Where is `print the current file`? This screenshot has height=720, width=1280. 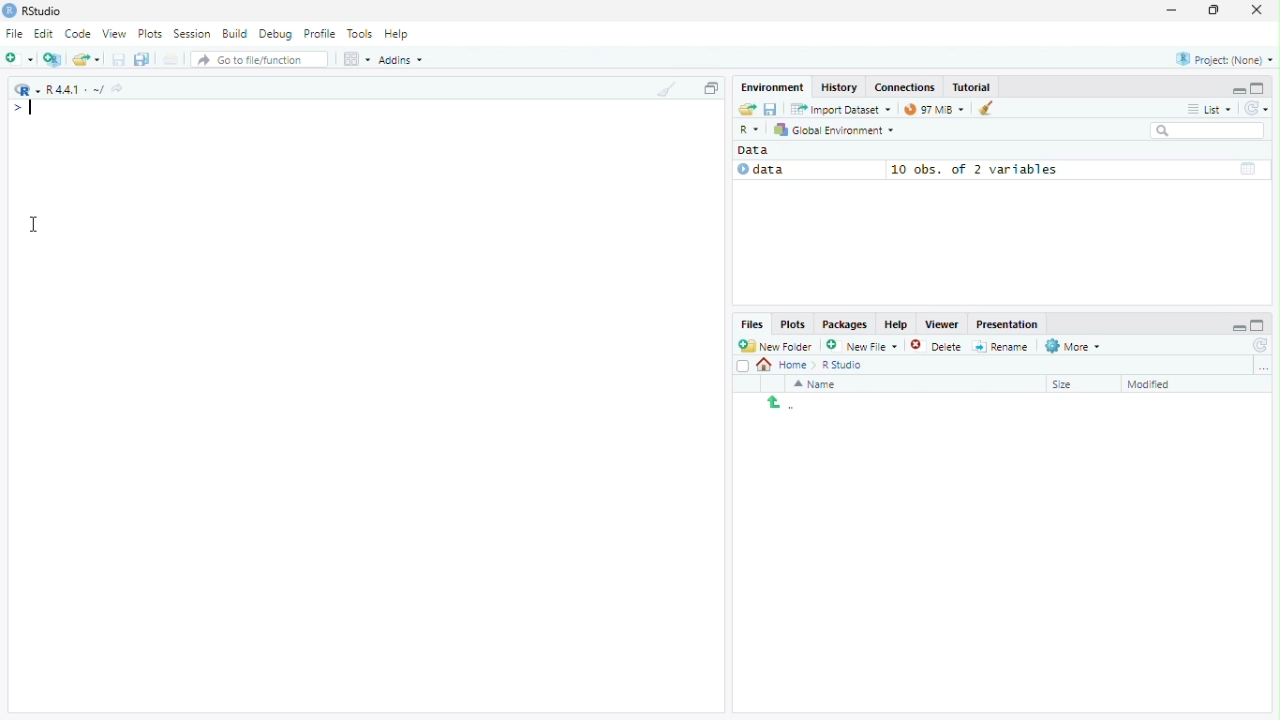 print the current file is located at coordinates (171, 59).